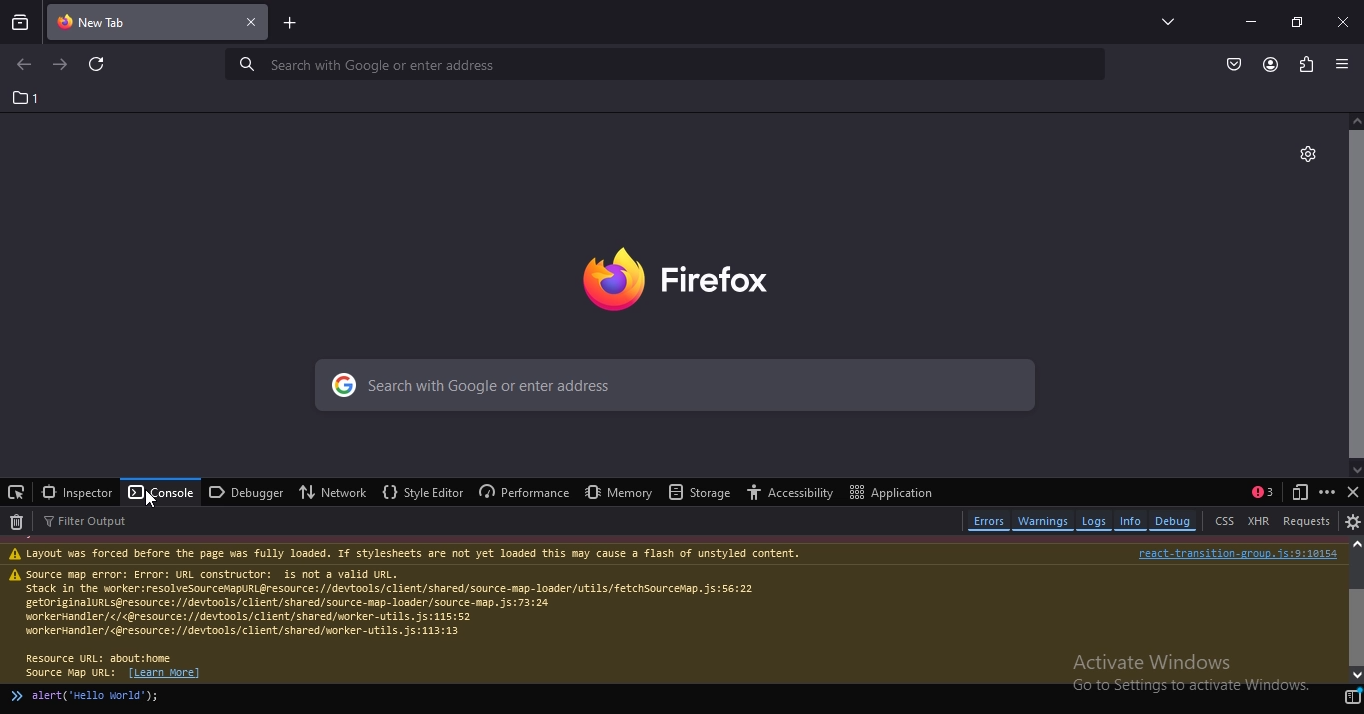 This screenshot has height=714, width=1364. Describe the element at coordinates (1226, 519) in the screenshot. I see `CSS` at that location.